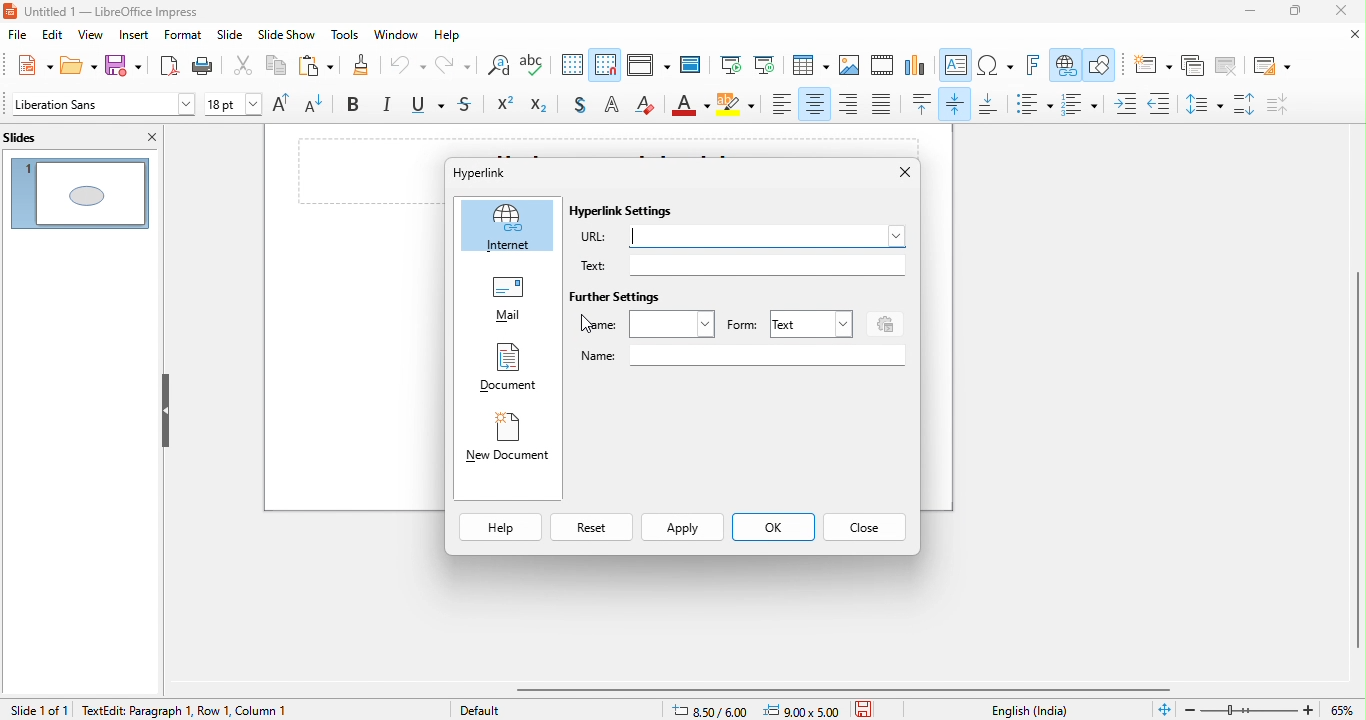 The width and height of the screenshot is (1366, 720). What do you see at coordinates (764, 65) in the screenshot?
I see `start from current slide` at bounding box center [764, 65].